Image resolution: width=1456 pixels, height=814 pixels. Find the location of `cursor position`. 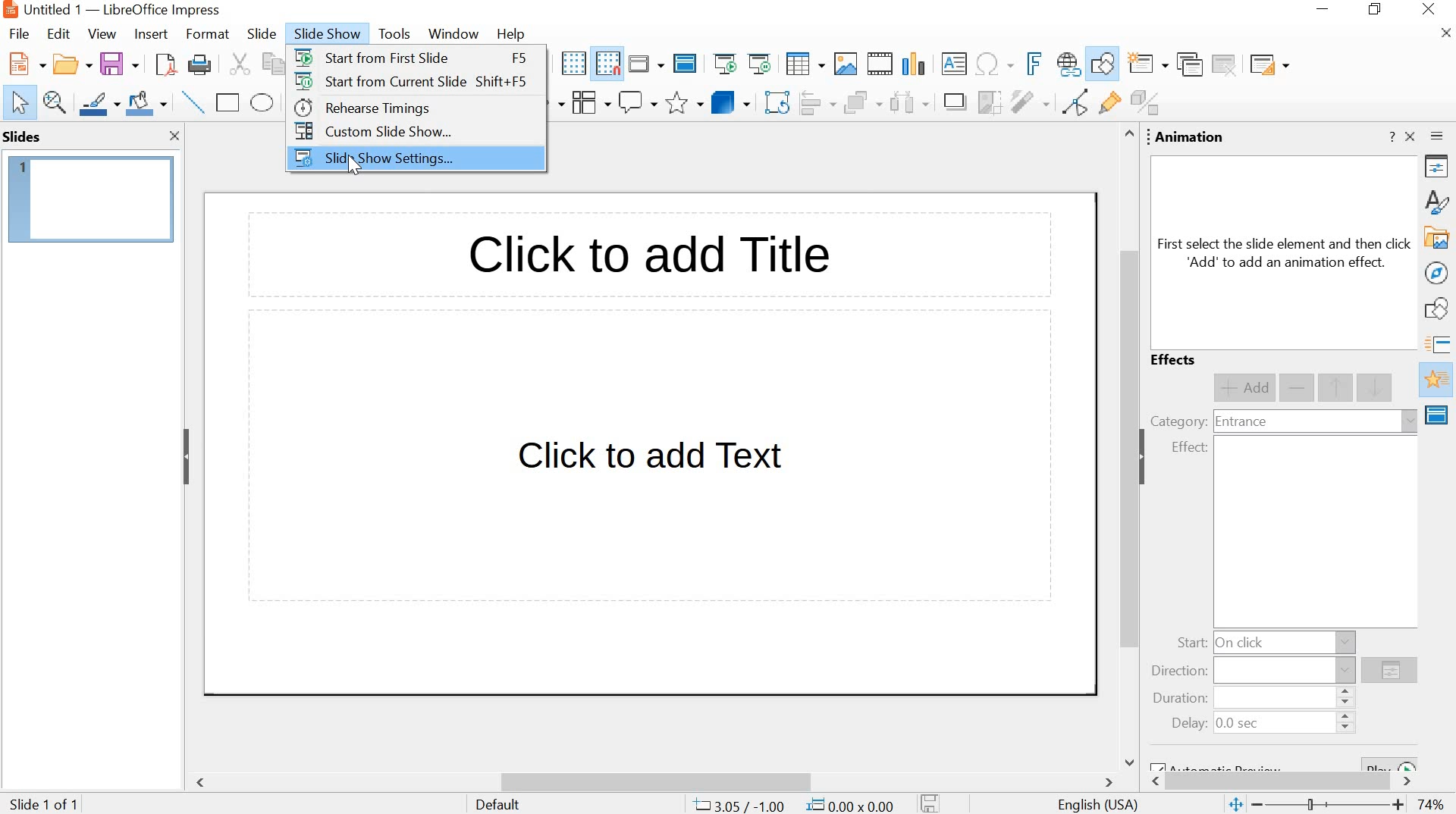

cursor position is located at coordinates (739, 805).